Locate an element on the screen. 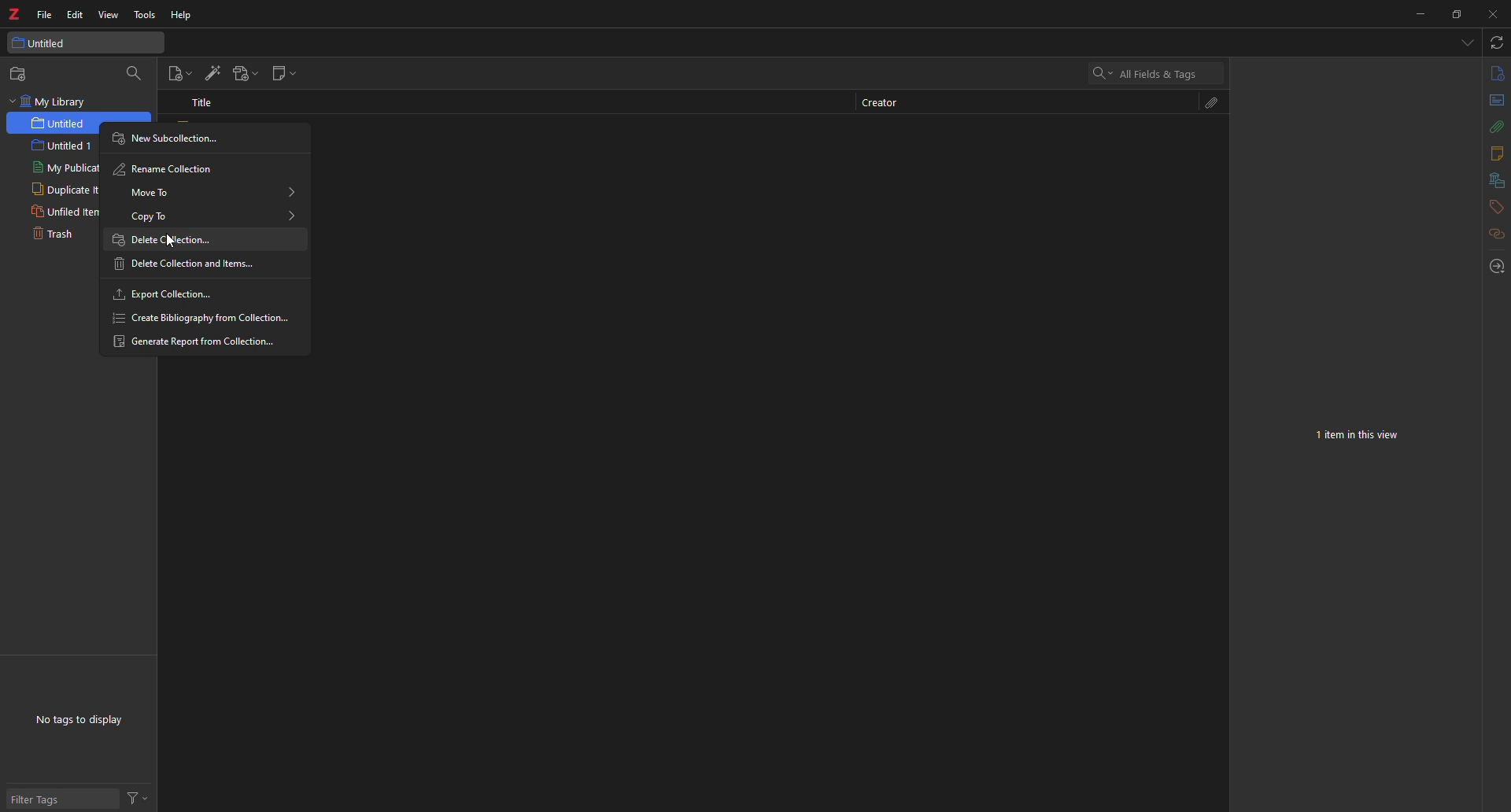 The image size is (1511, 812). new item is located at coordinates (178, 74).